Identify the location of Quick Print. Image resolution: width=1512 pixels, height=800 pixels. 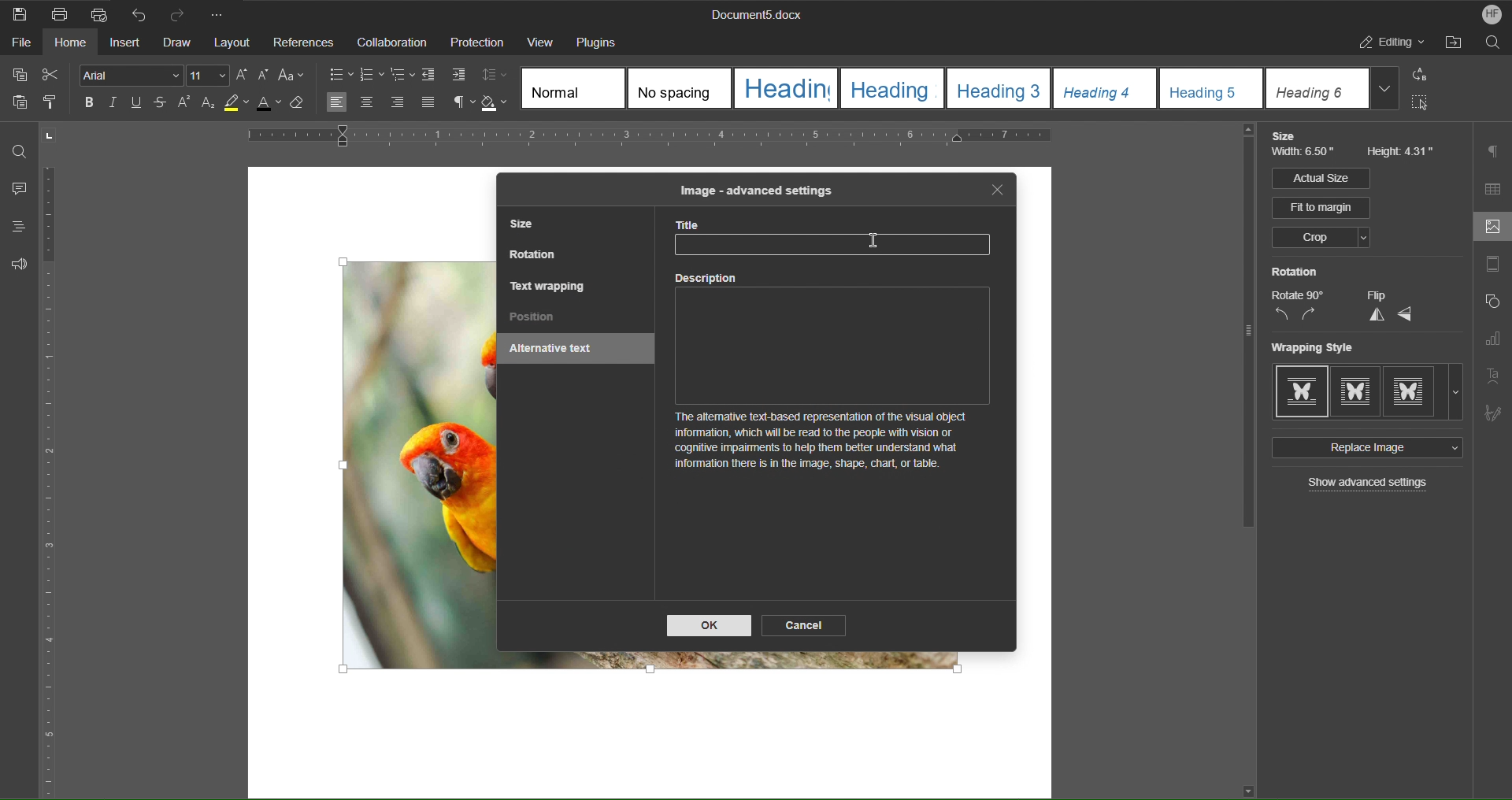
(98, 13).